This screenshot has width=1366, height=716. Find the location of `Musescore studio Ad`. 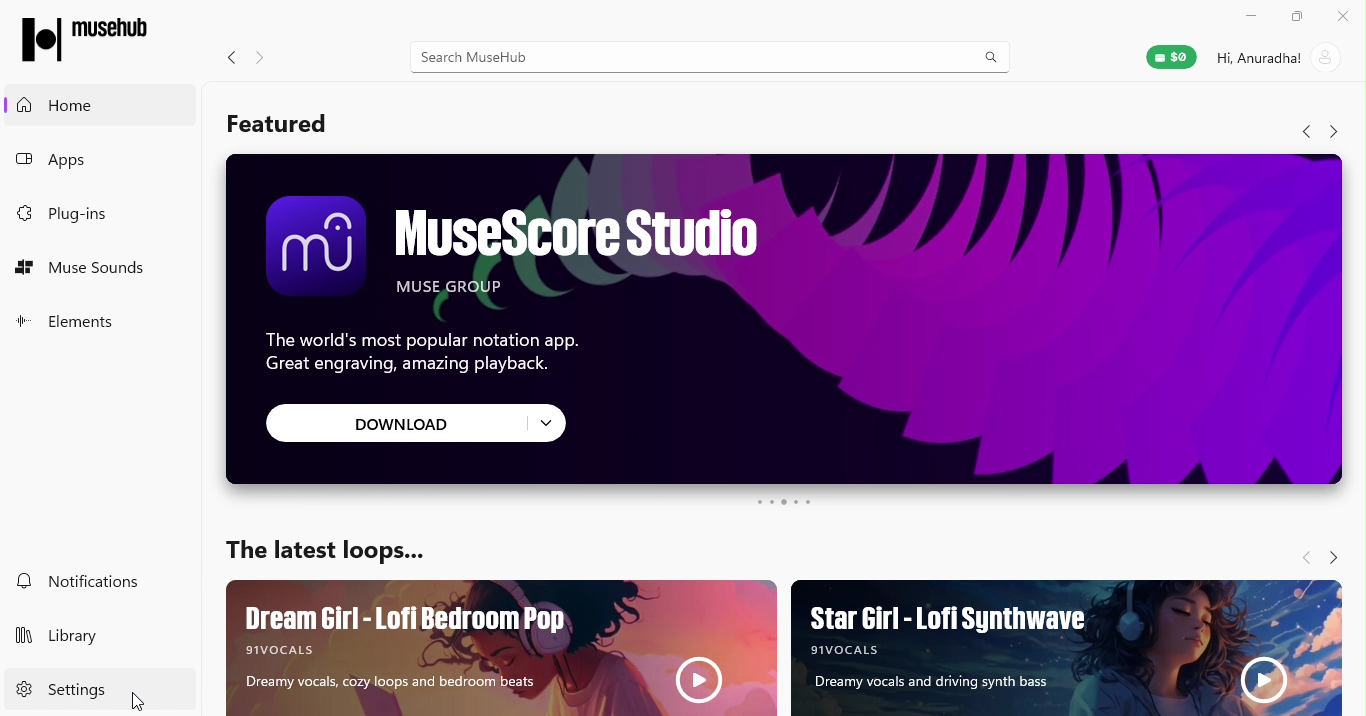

Musescore studio Ad is located at coordinates (778, 272).